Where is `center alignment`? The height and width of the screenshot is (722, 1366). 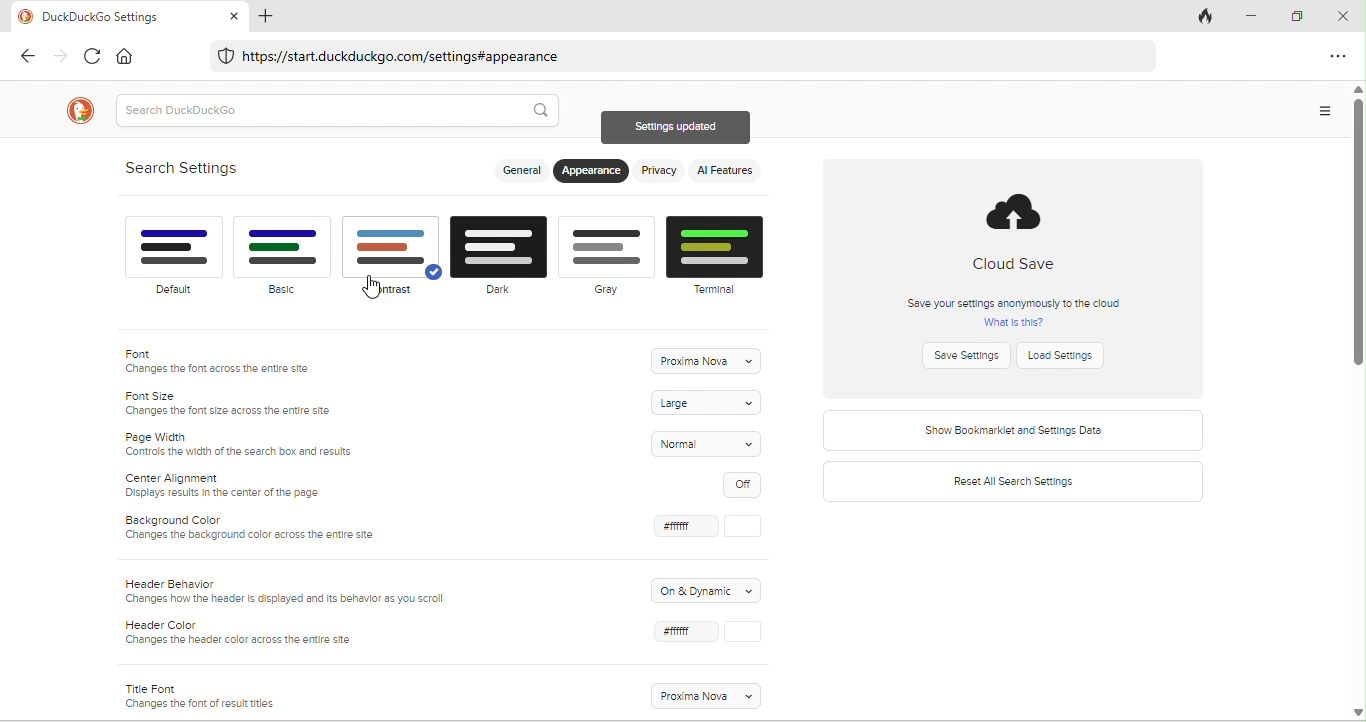 center alignment is located at coordinates (230, 486).